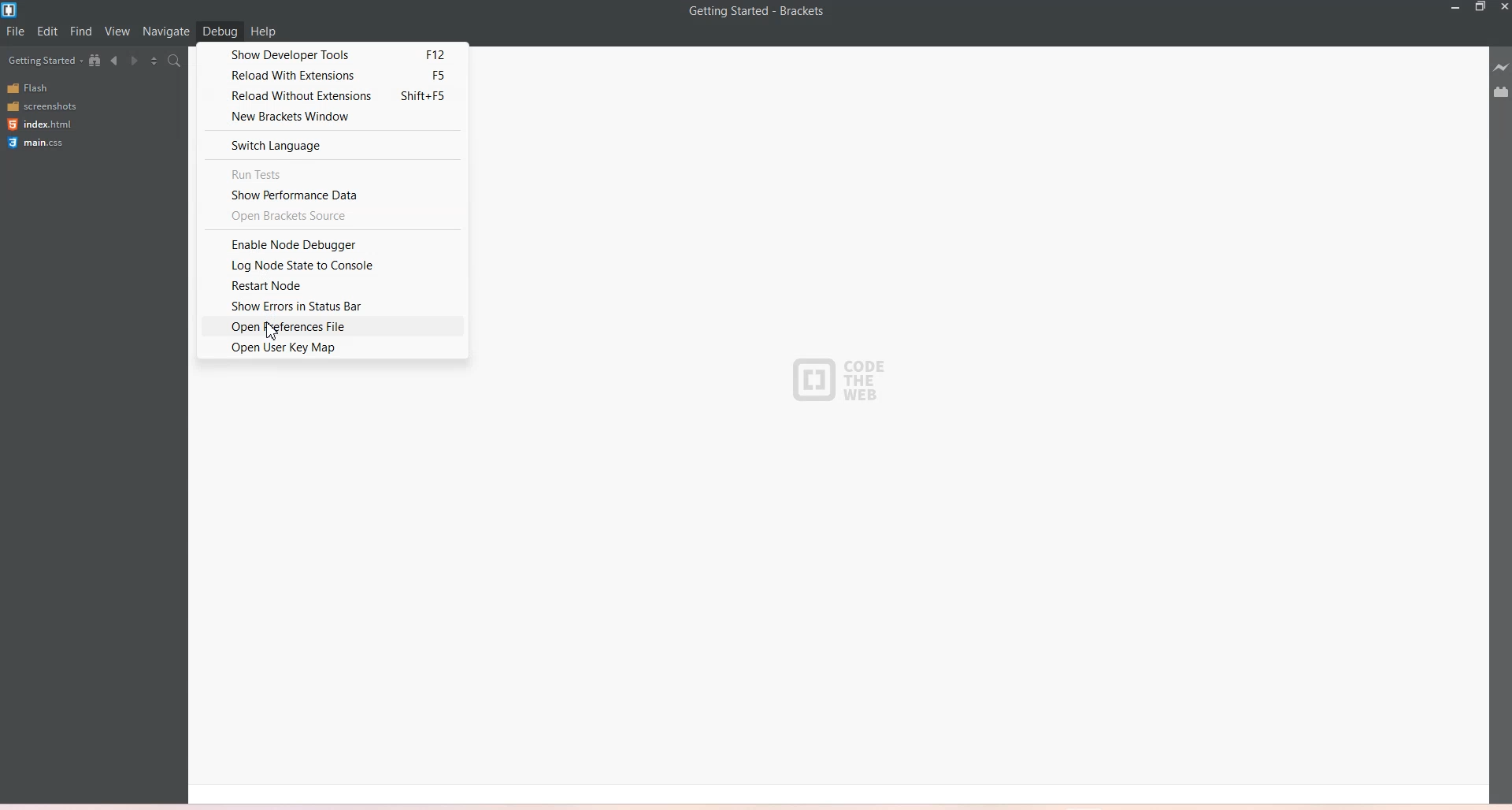  I want to click on Bracket log, so click(11, 10).